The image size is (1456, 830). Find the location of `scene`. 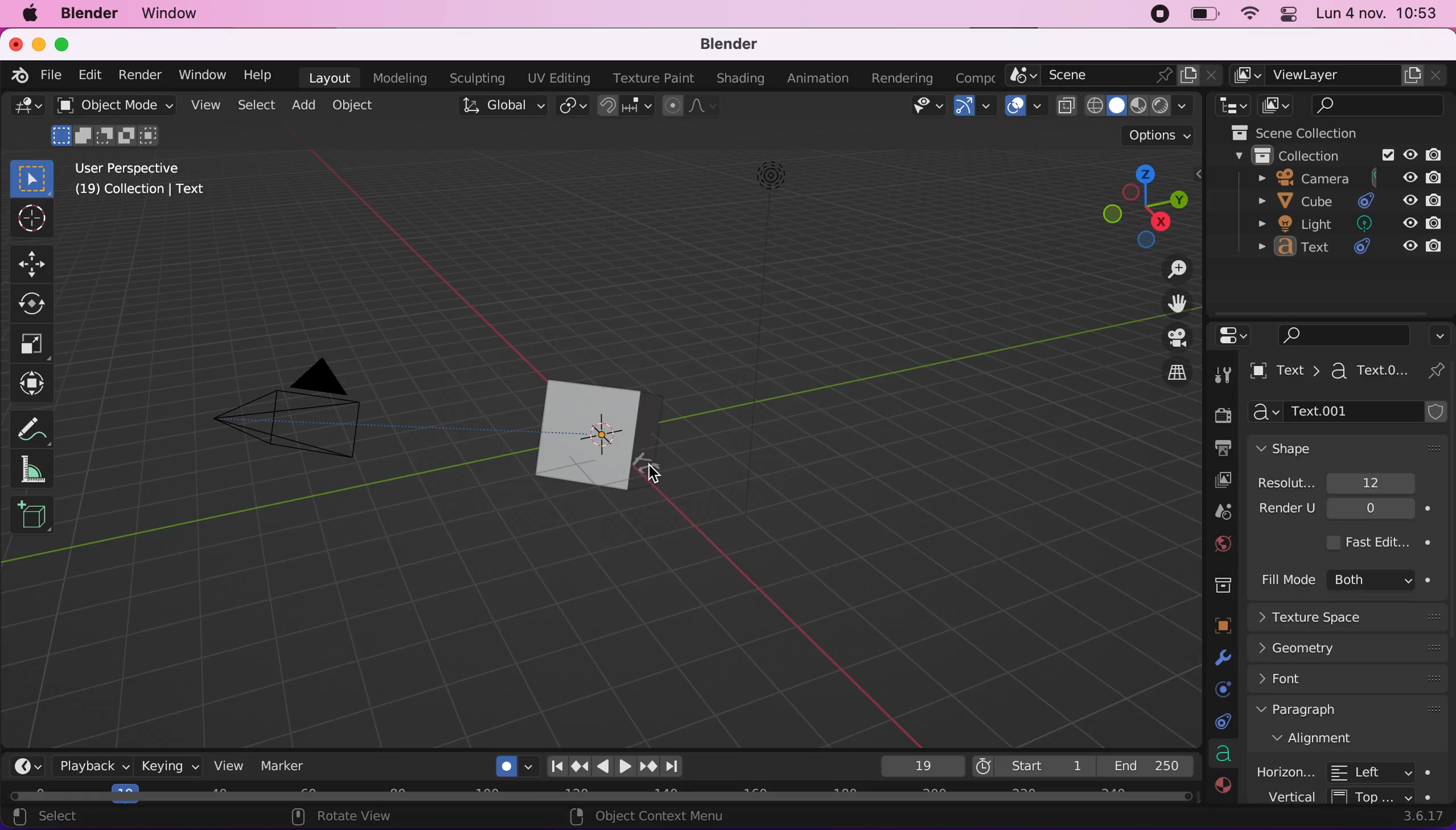

scene is located at coordinates (1223, 511).